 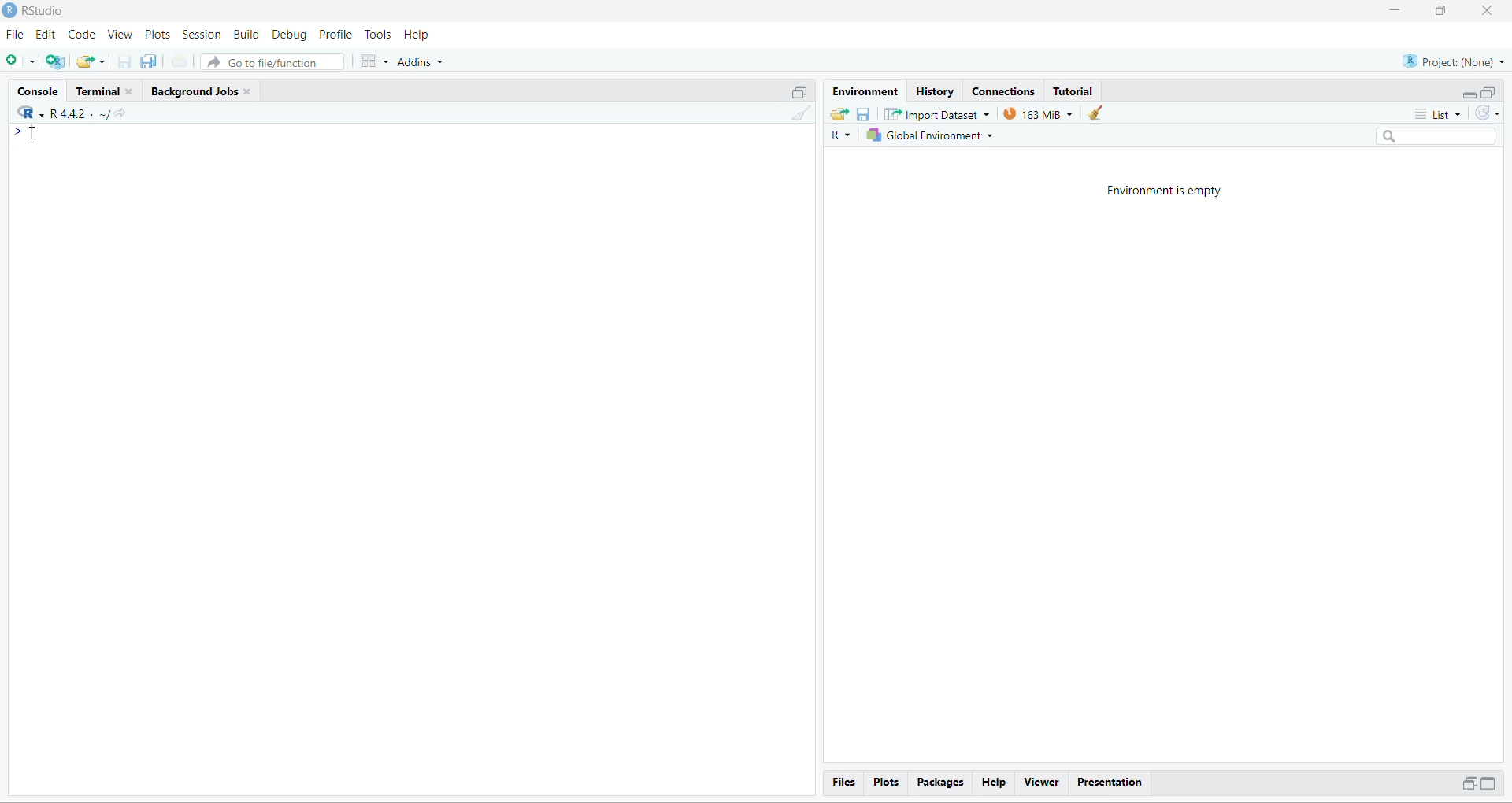 I want to click on Profile, so click(x=335, y=35).